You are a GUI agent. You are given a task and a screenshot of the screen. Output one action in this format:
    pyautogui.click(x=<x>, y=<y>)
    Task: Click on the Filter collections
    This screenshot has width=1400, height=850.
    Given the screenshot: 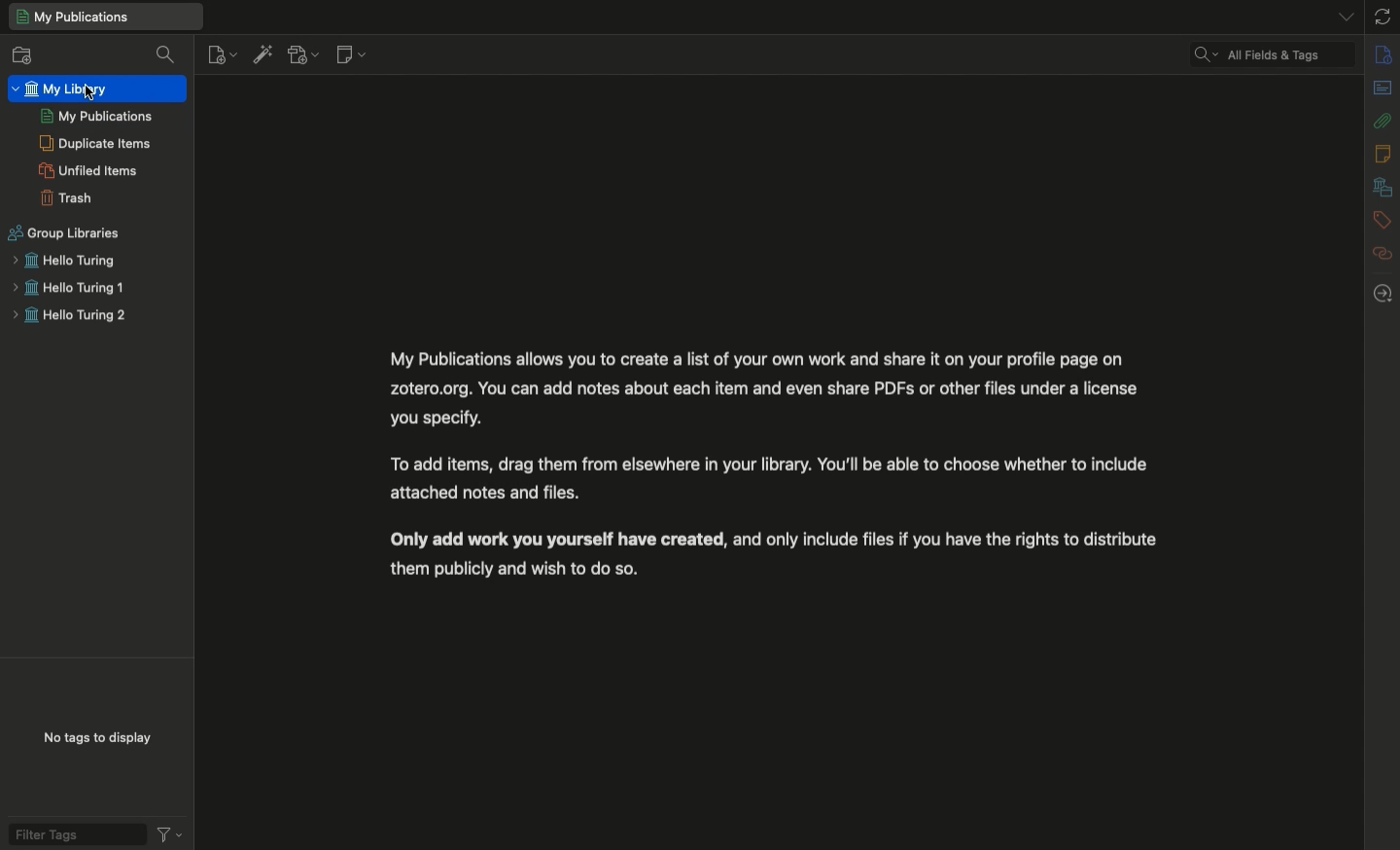 What is the action you would take?
    pyautogui.click(x=168, y=54)
    